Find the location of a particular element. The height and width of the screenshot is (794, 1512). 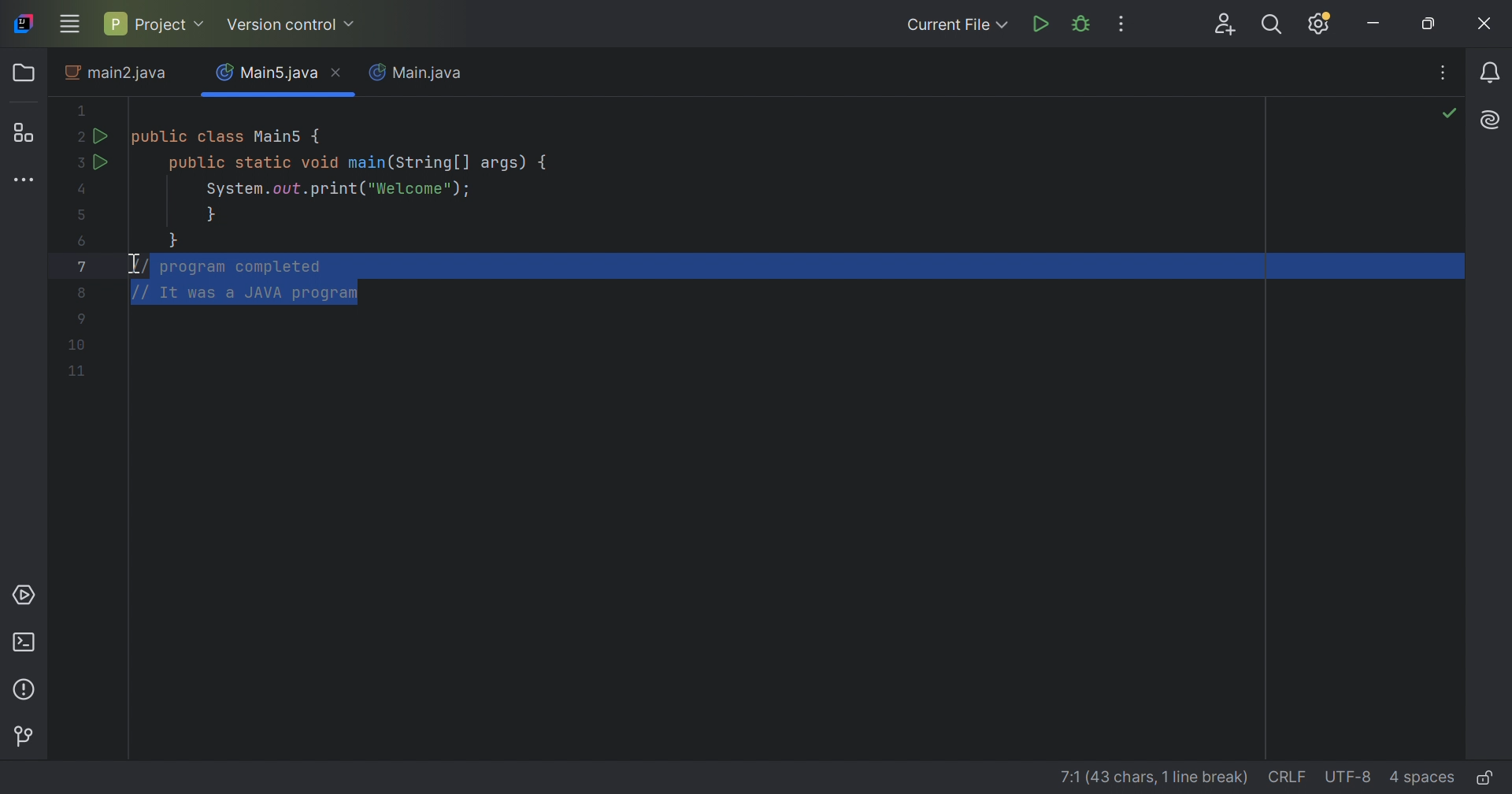

Code with me is located at coordinates (1226, 24).